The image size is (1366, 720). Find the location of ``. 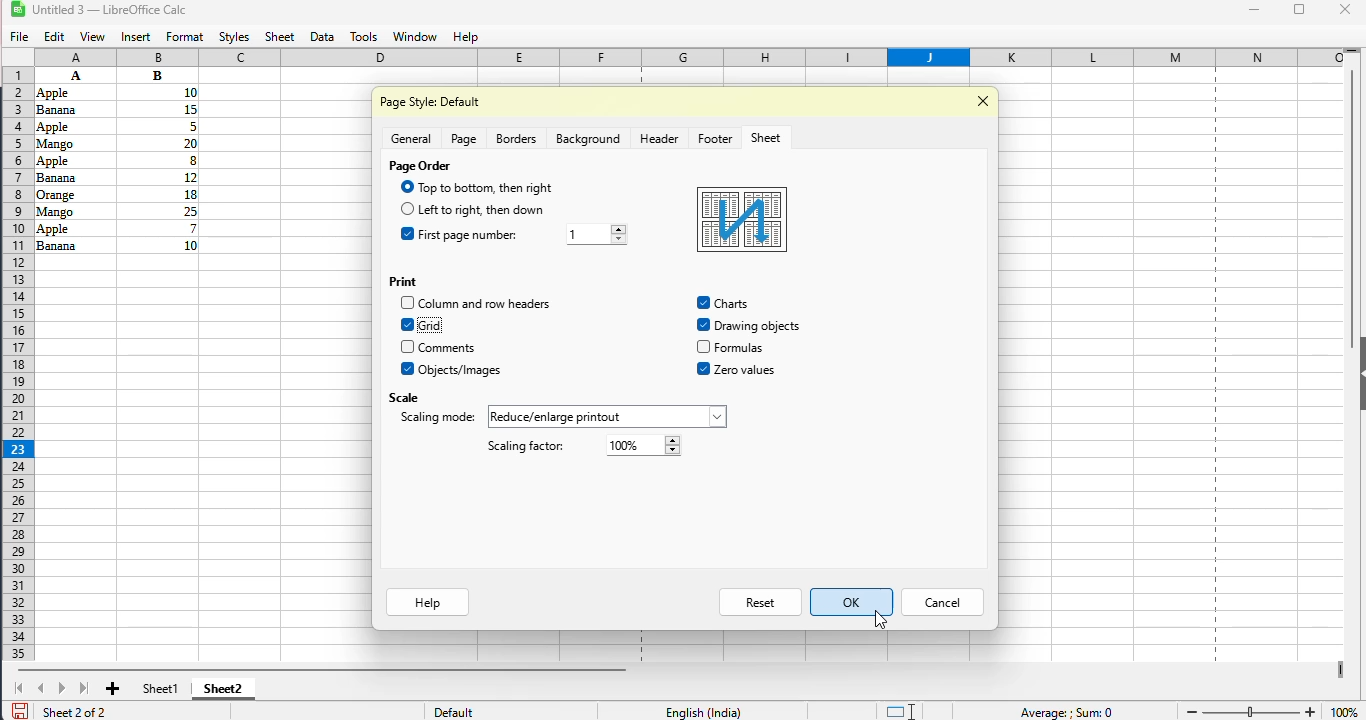

 is located at coordinates (742, 348).